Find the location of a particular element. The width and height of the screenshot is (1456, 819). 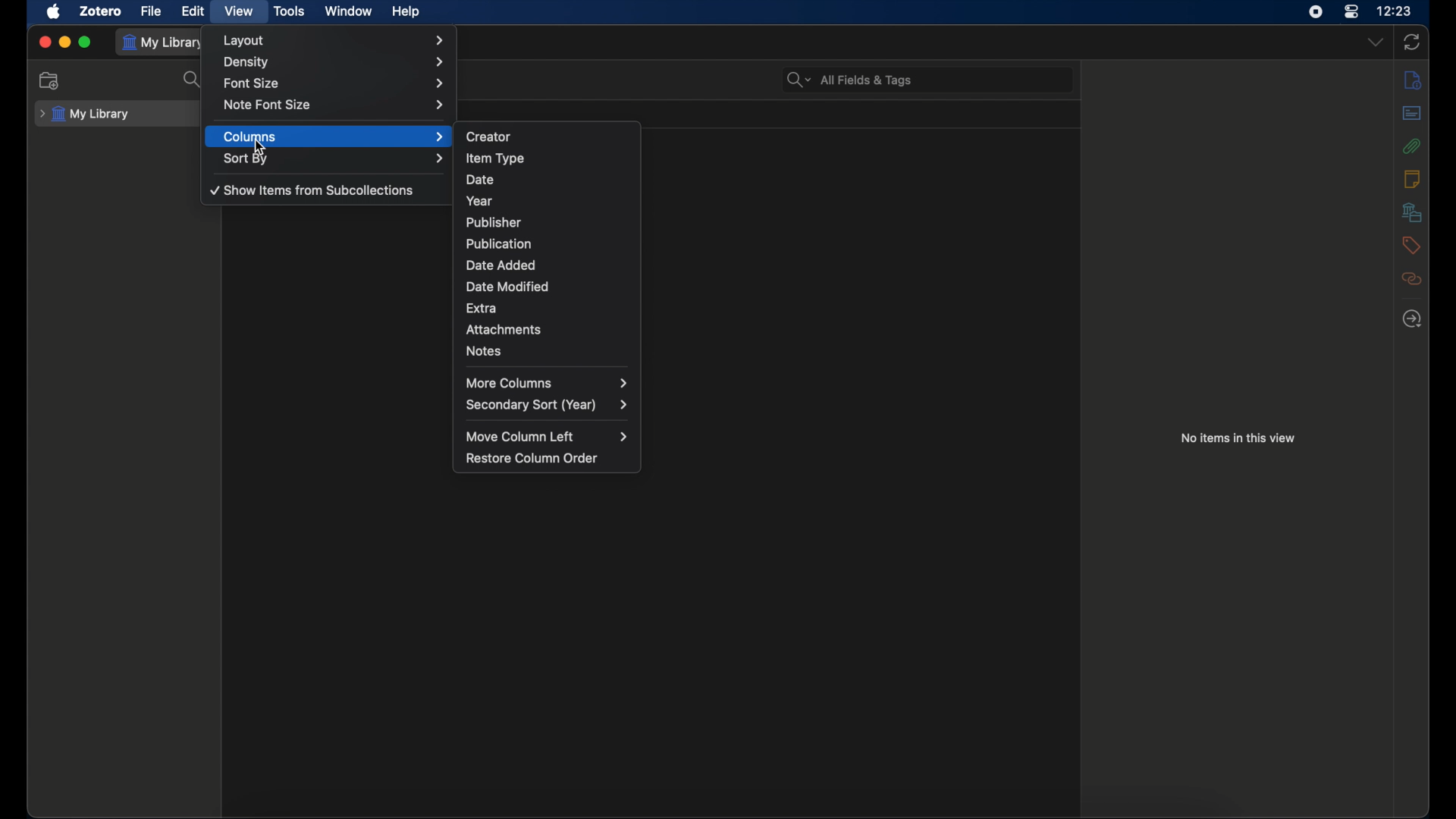

year is located at coordinates (481, 201).